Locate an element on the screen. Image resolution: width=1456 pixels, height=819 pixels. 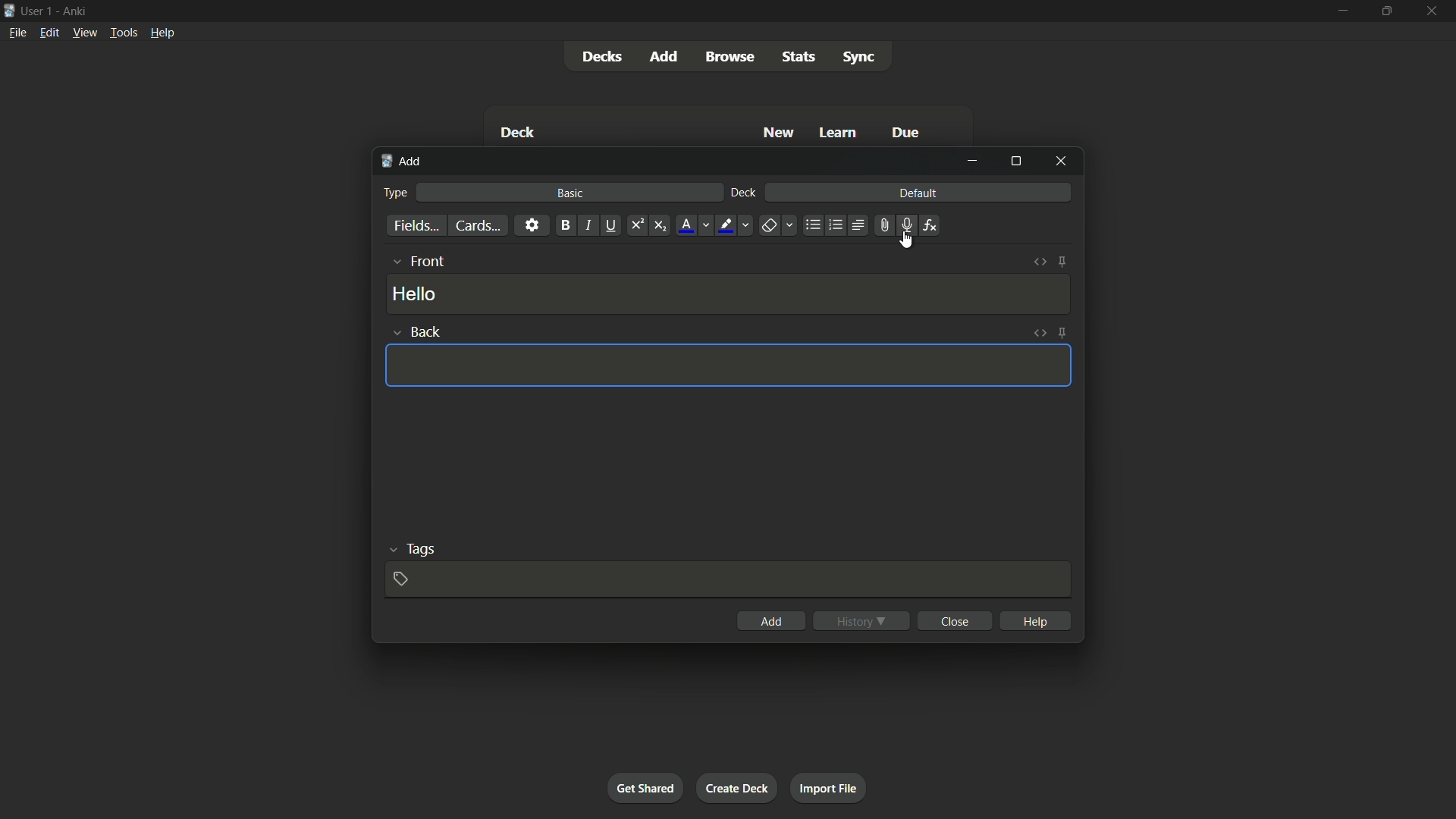
minimize is located at coordinates (1341, 11).